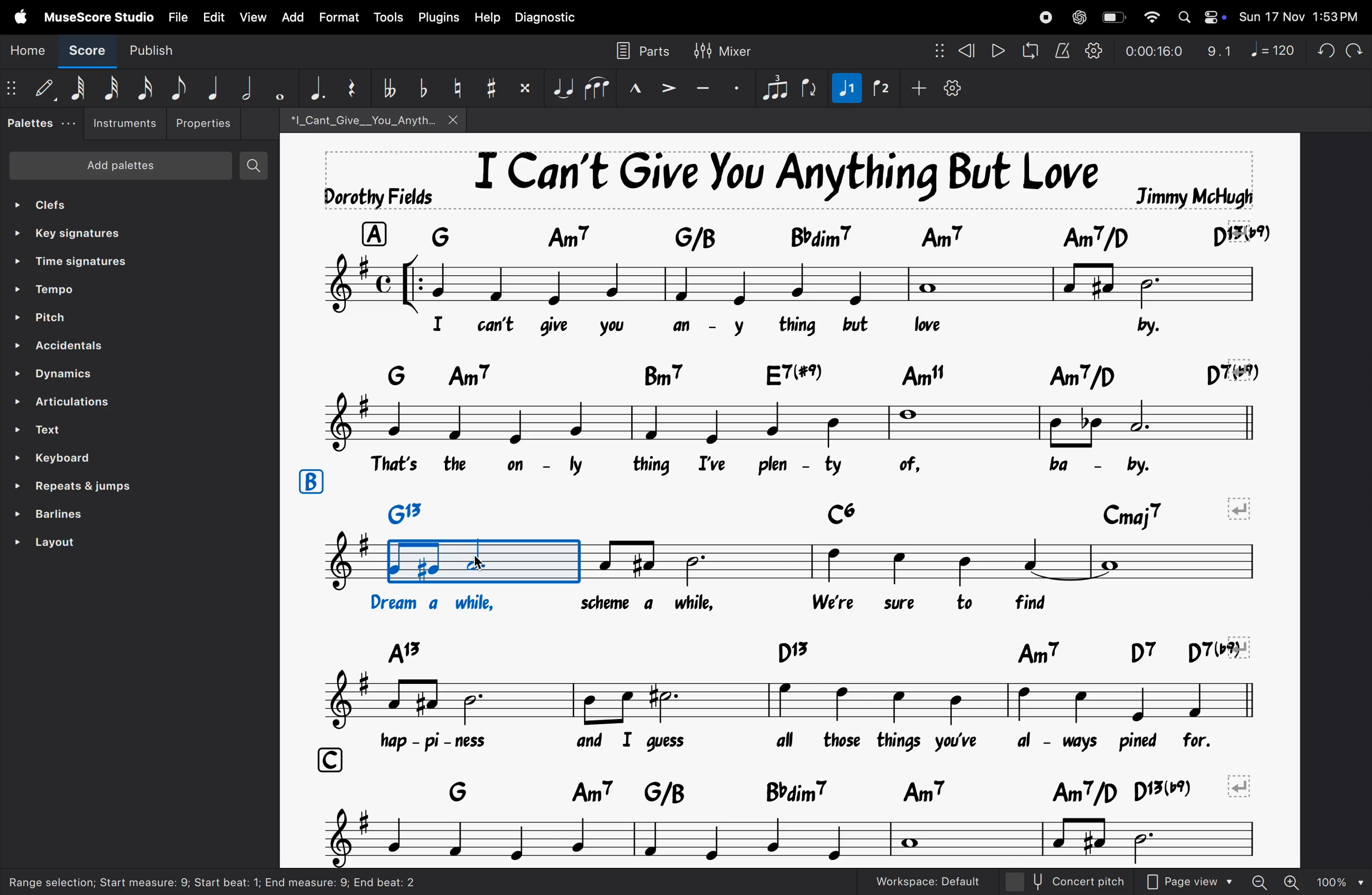  What do you see at coordinates (66, 457) in the screenshot?
I see `keyboard` at bounding box center [66, 457].